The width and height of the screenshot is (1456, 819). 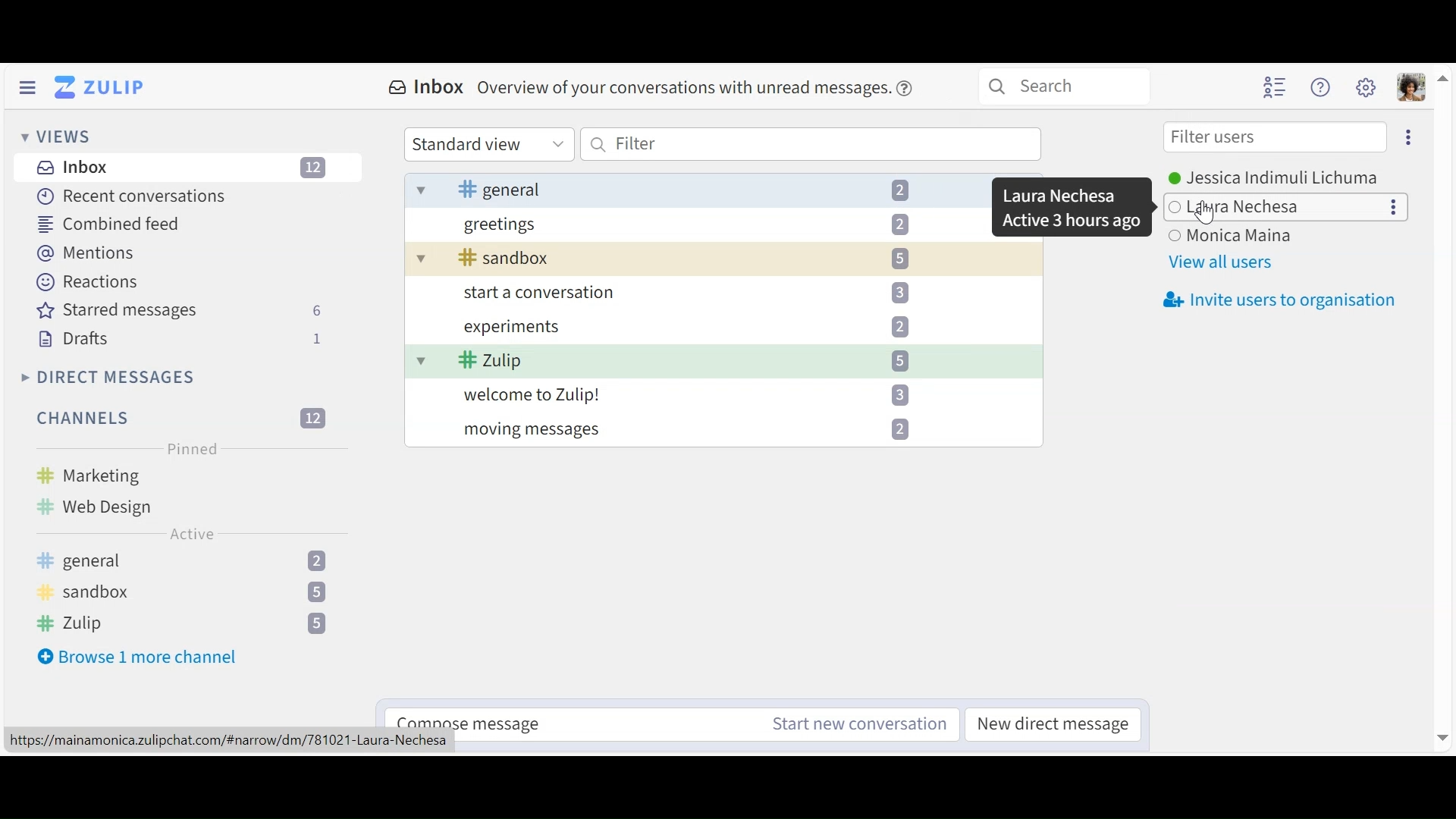 I want to click on Pinned , so click(x=189, y=448).